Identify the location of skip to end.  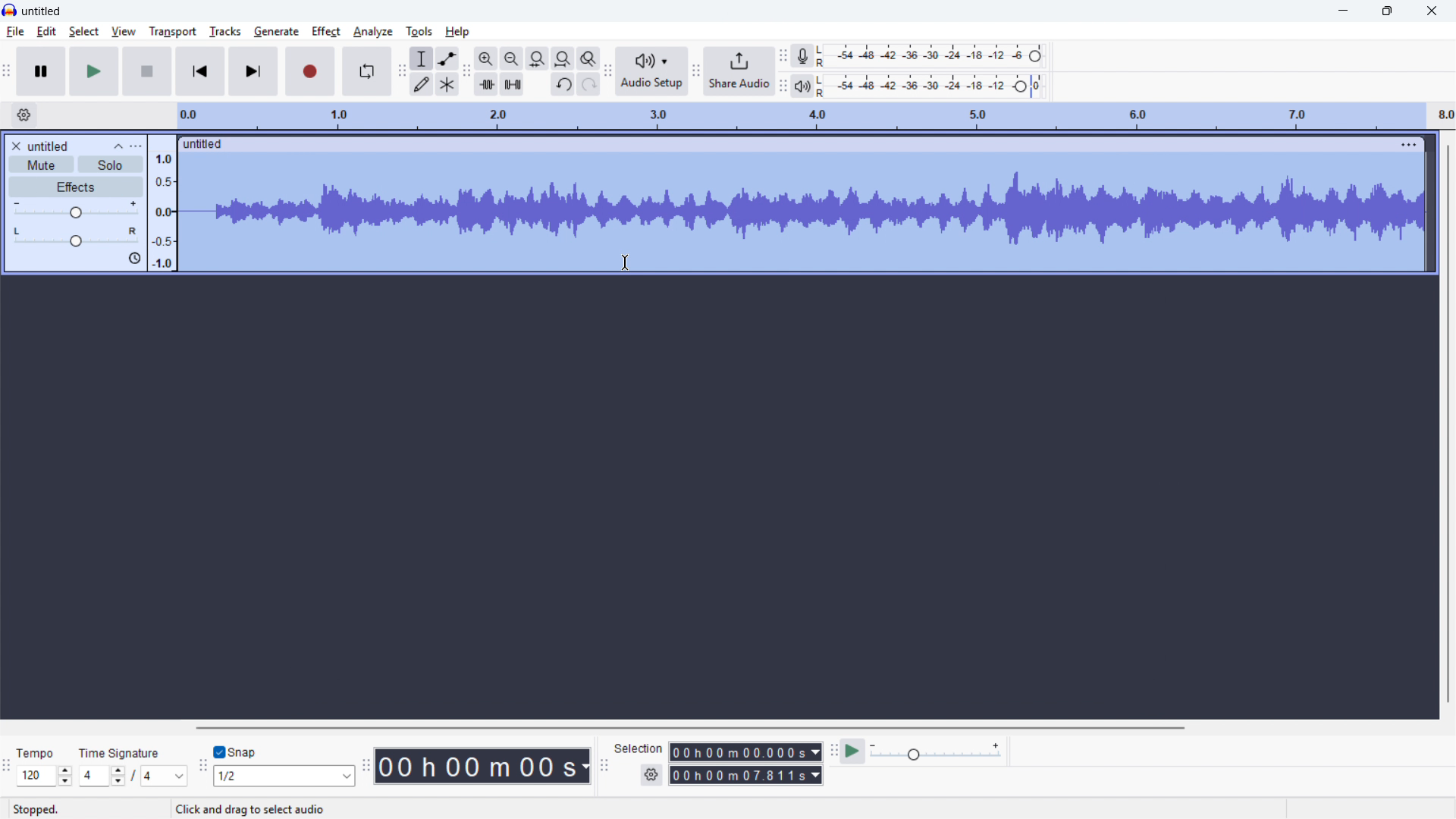
(255, 71).